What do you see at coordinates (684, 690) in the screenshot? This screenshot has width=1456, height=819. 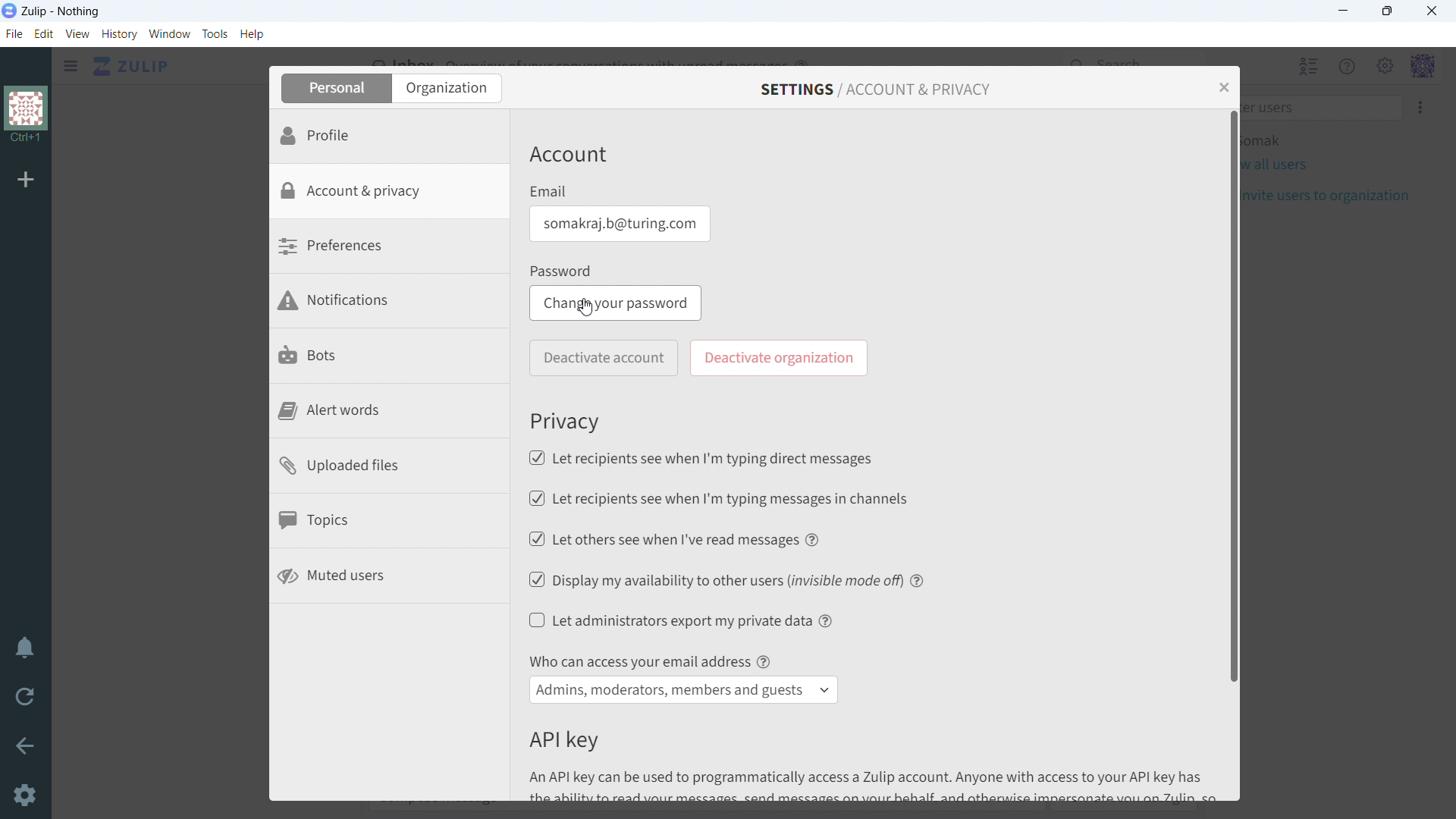 I see `select access to email address` at bounding box center [684, 690].